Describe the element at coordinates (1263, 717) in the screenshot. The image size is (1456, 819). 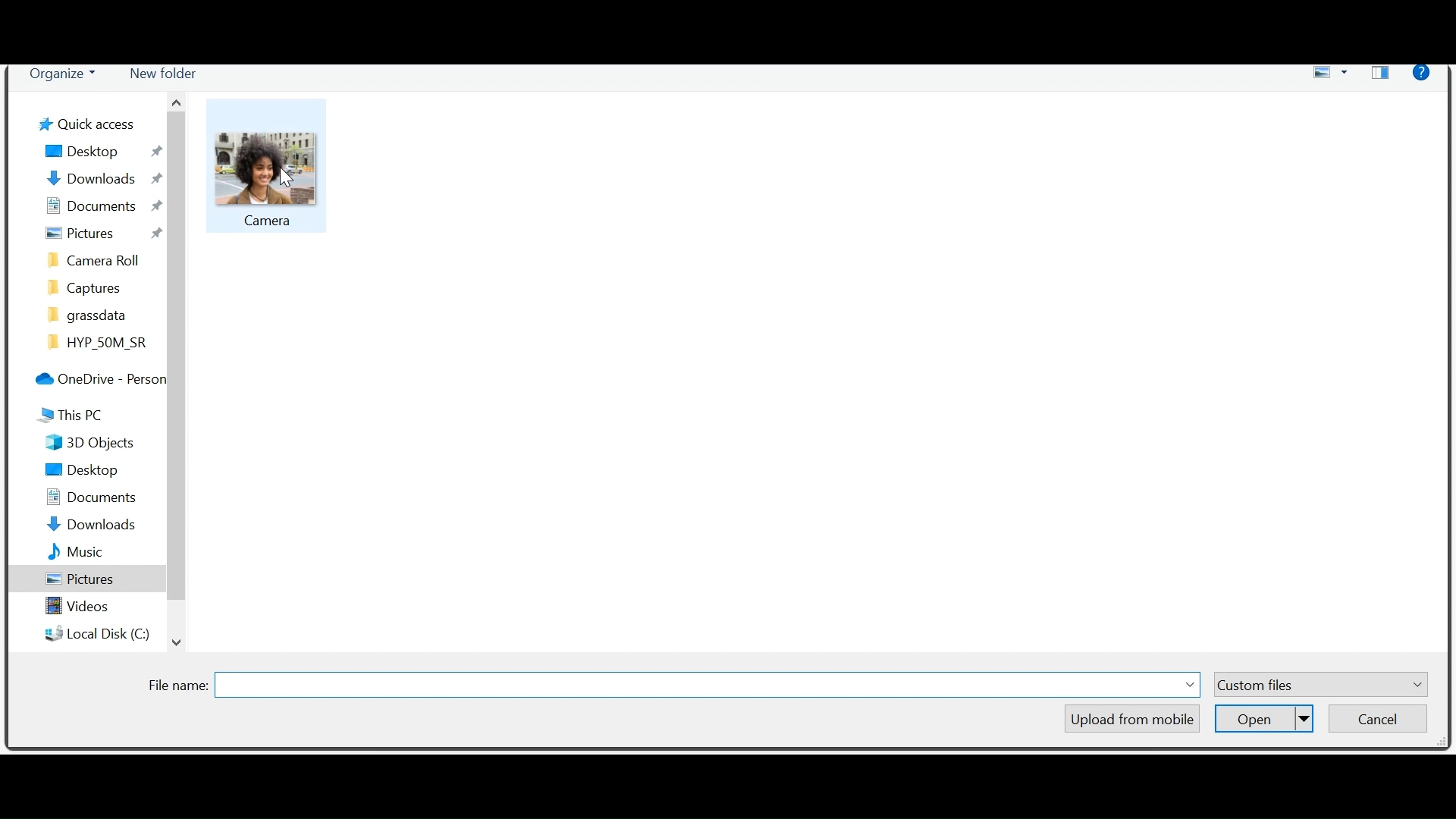
I see `Open` at that location.